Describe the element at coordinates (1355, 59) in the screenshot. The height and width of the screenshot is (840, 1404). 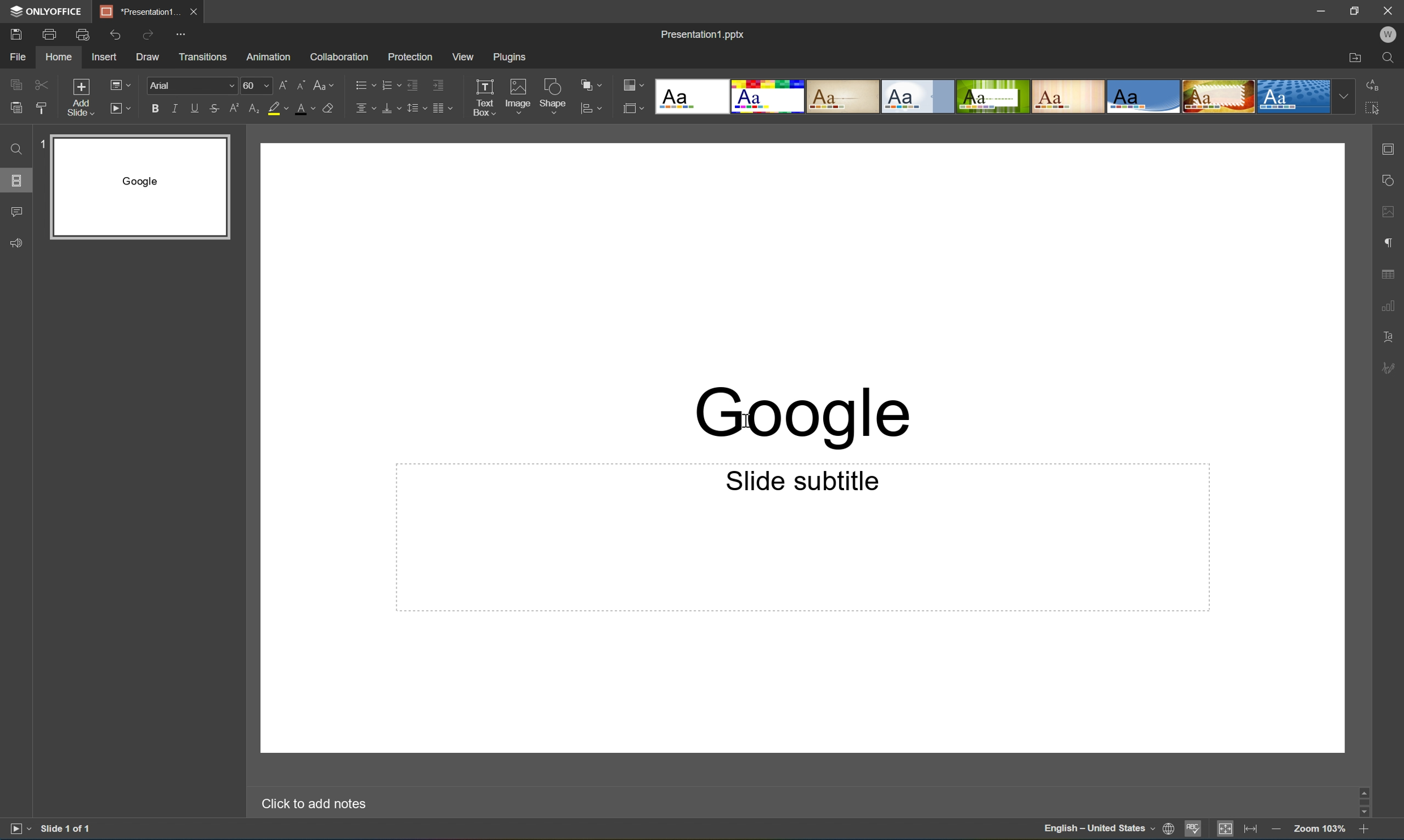
I see `Open file location` at that location.